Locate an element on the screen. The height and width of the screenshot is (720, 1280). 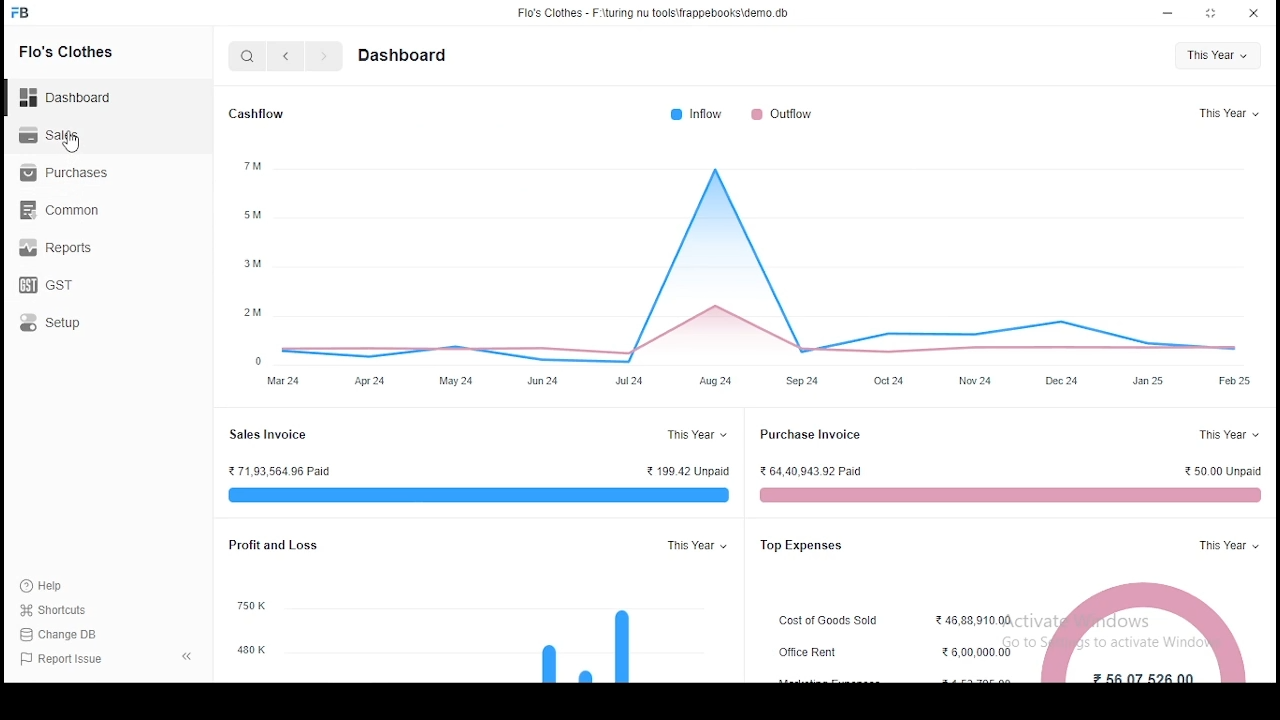
56,07,526.00 is located at coordinates (1143, 677).